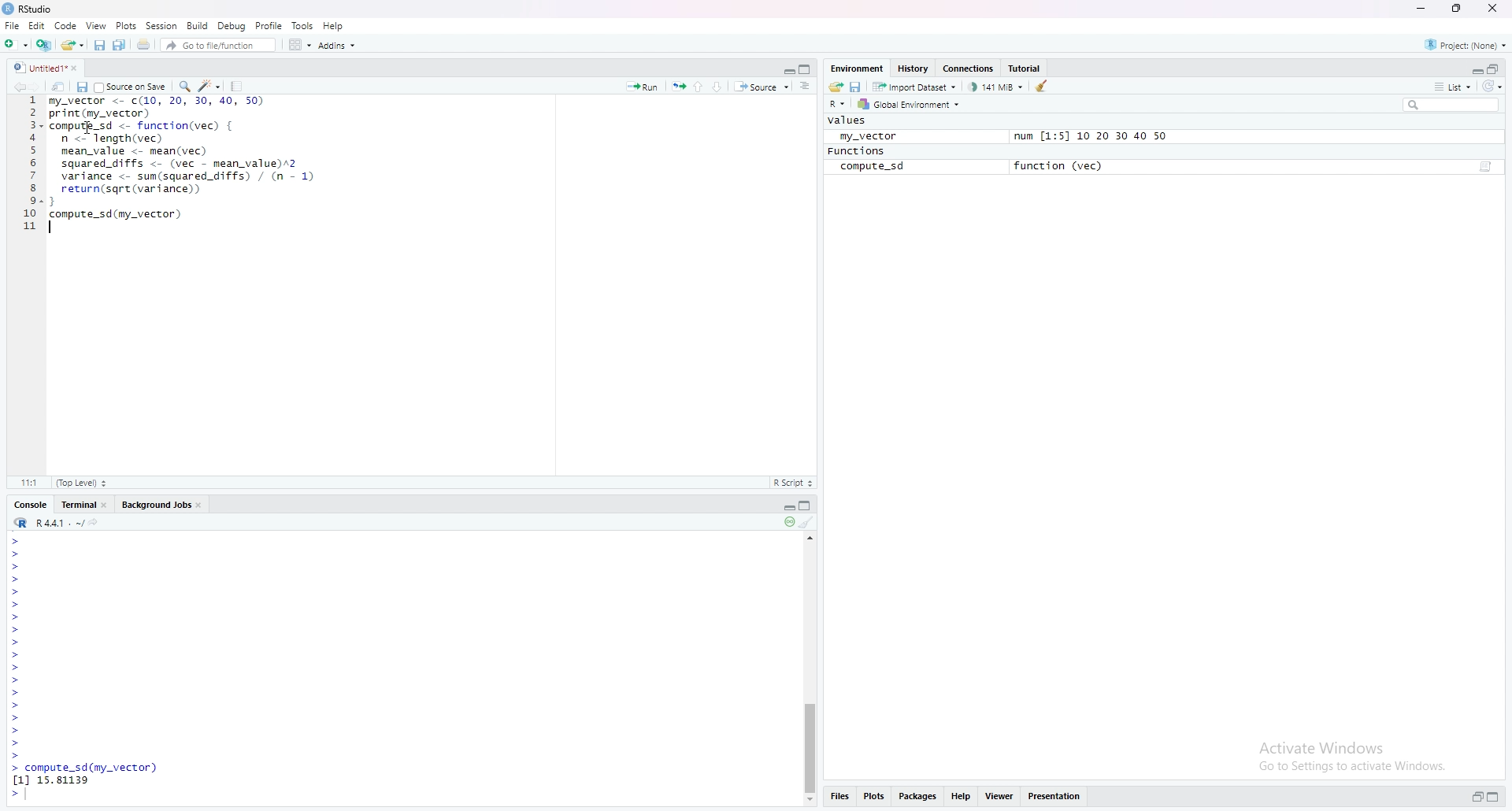  What do you see at coordinates (17, 655) in the screenshot?
I see `Prompt cursor` at bounding box center [17, 655].